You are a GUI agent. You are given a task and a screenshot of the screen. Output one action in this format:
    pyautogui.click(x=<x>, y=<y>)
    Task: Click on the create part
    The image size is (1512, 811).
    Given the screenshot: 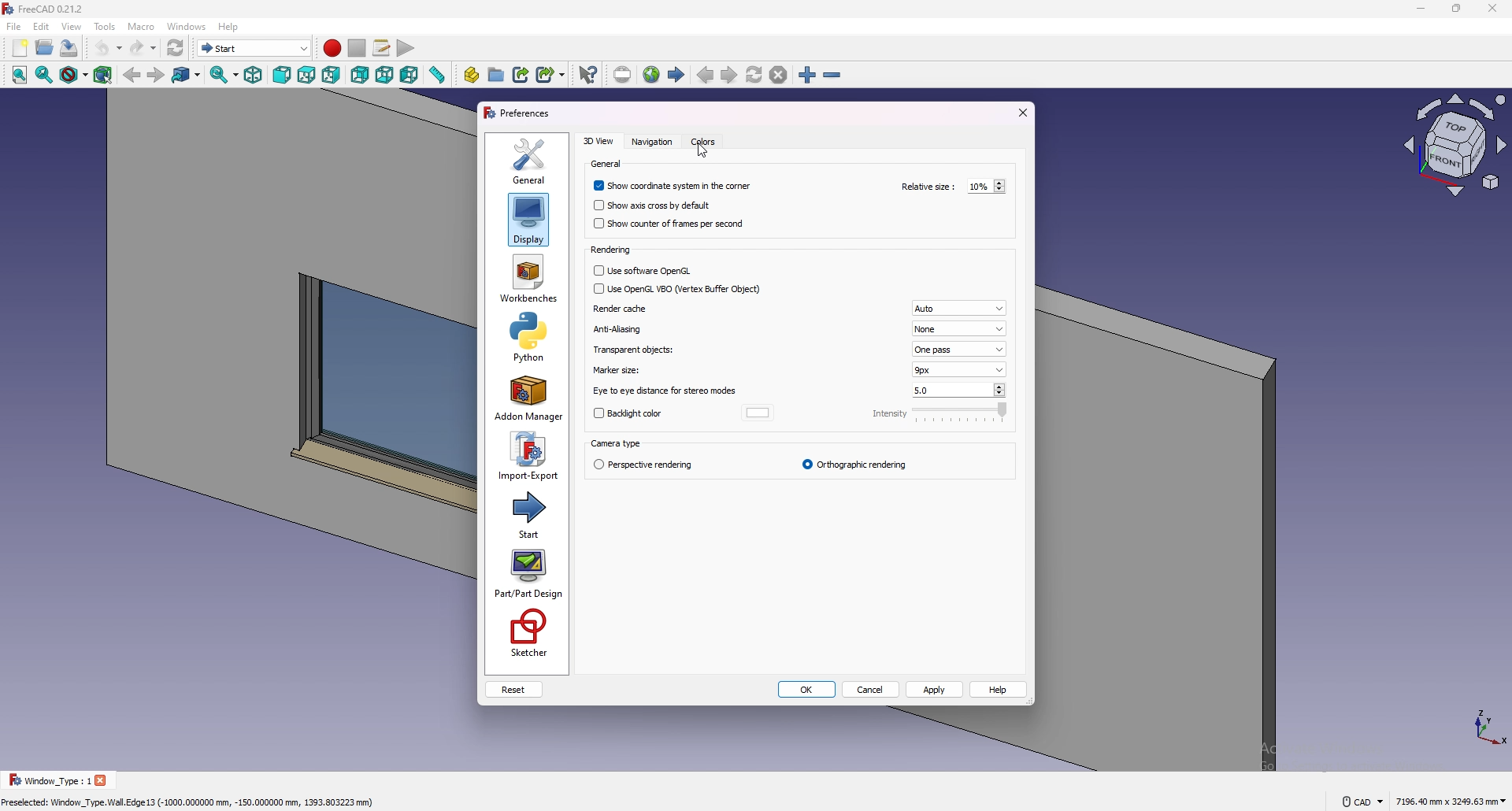 What is the action you would take?
    pyautogui.click(x=472, y=75)
    